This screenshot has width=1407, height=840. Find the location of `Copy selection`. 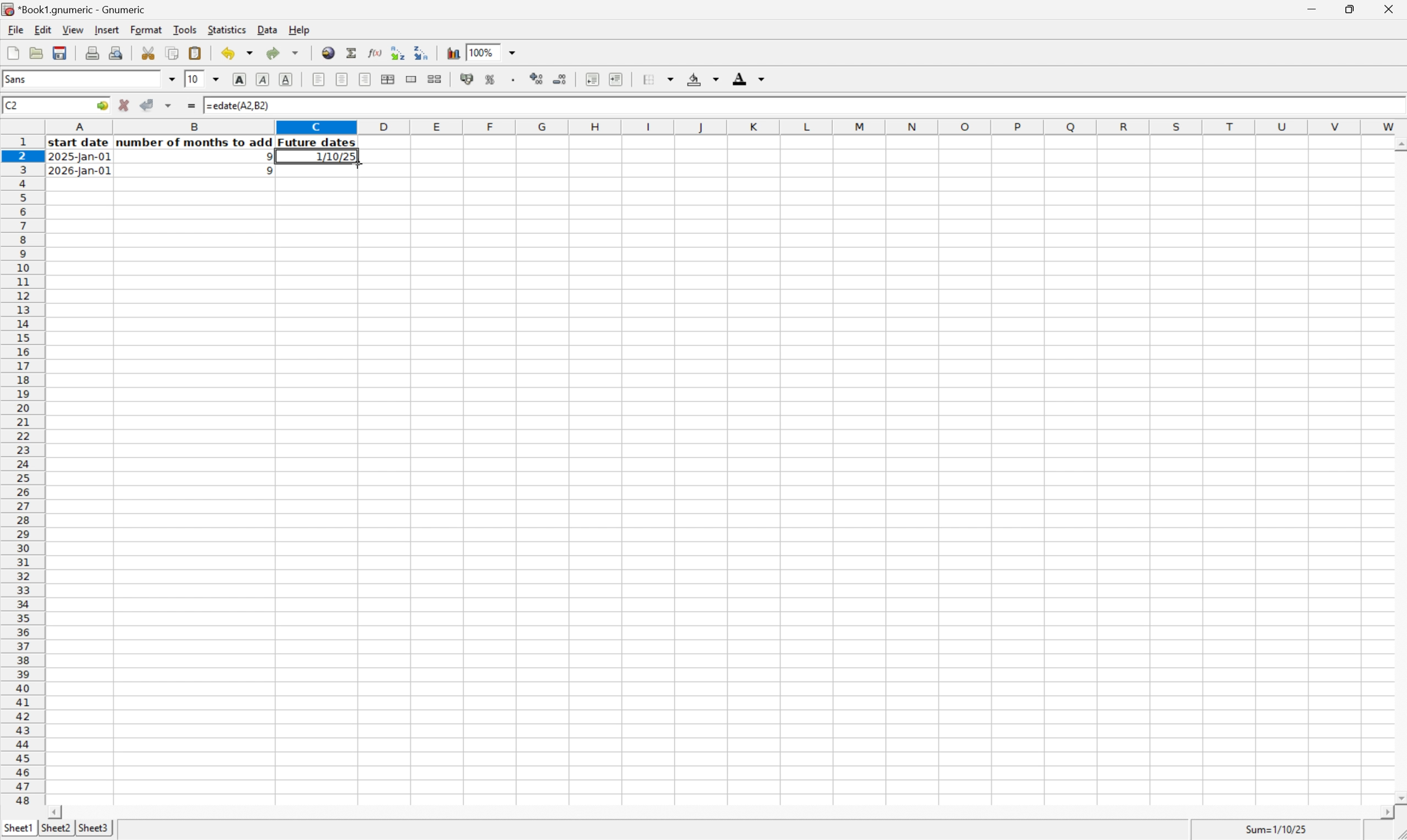

Copy selection is located at coordinates (173, 53).